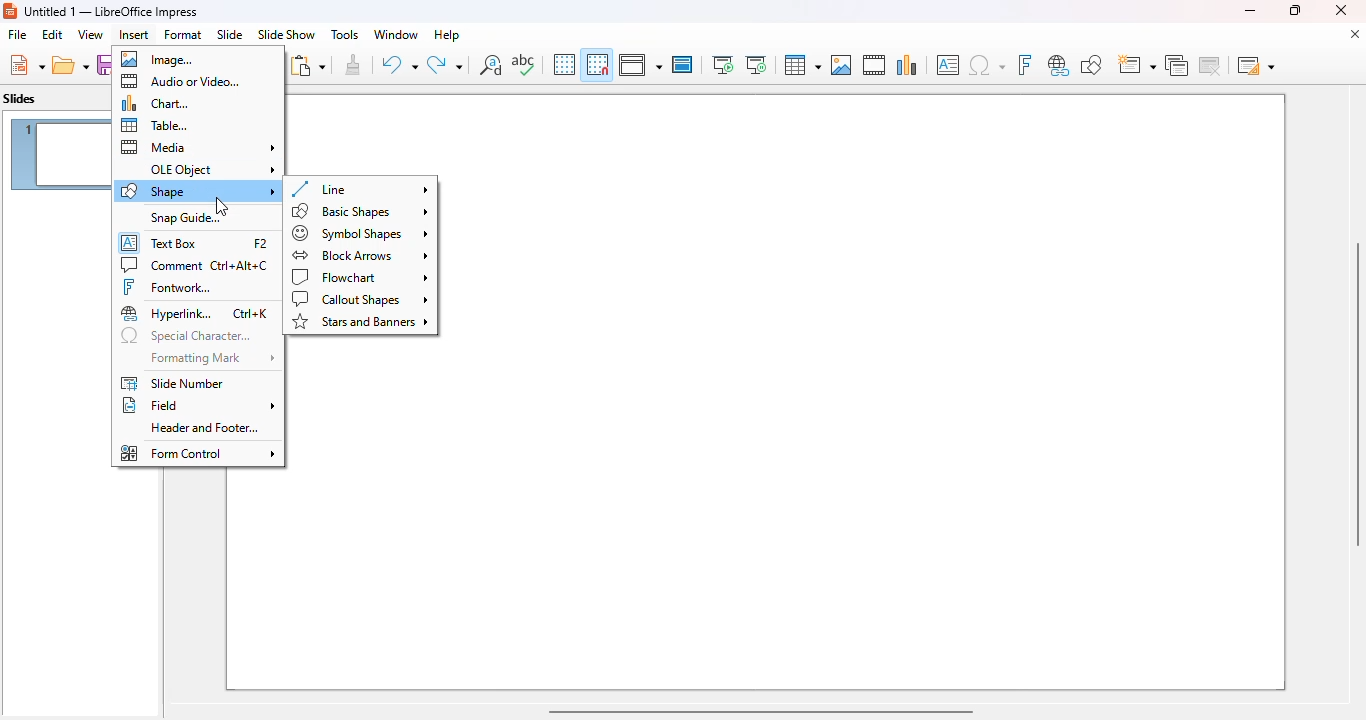  I want to click on save, so click(103, 65).